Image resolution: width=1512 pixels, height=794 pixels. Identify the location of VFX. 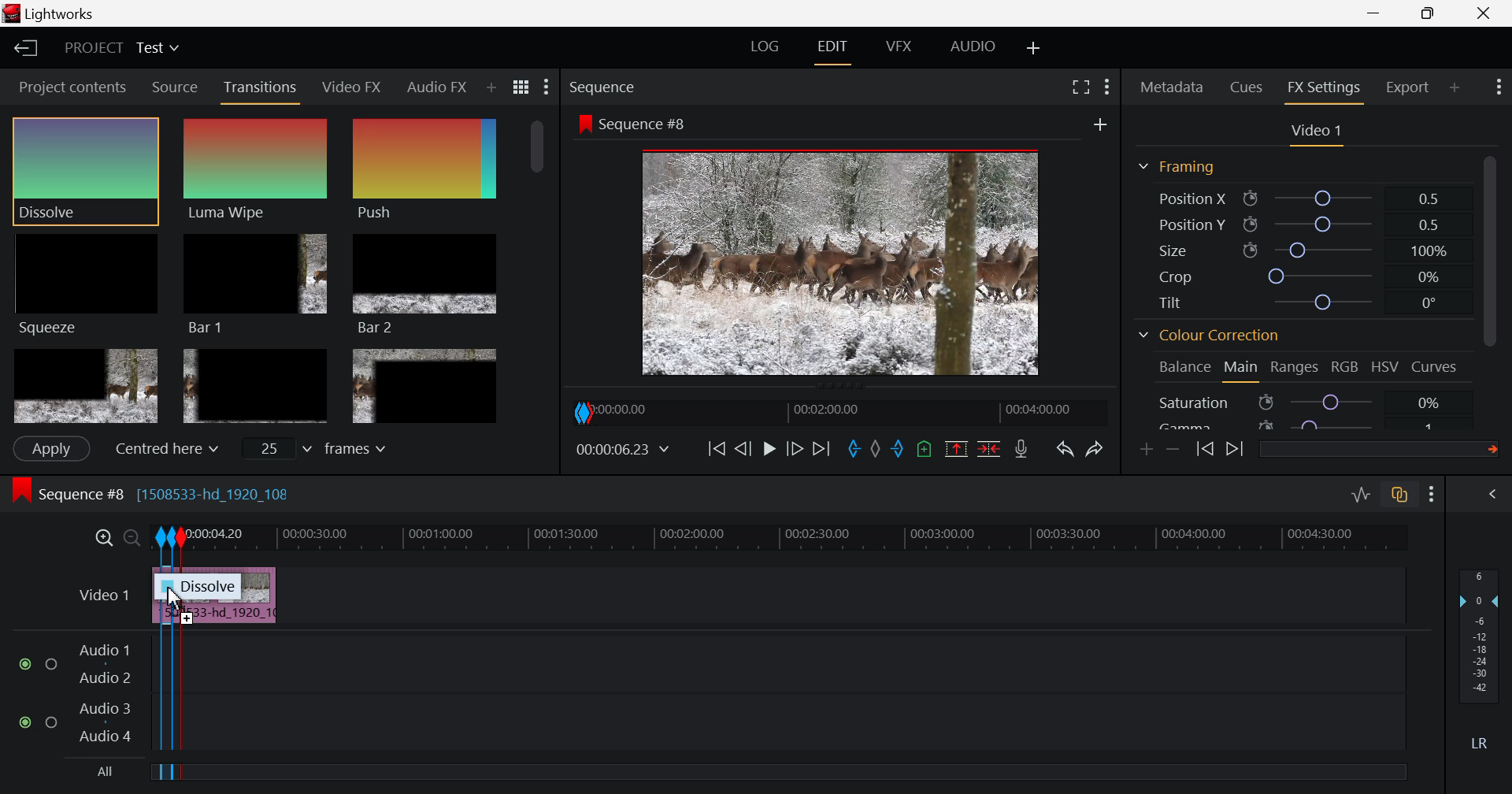
(899, 46).